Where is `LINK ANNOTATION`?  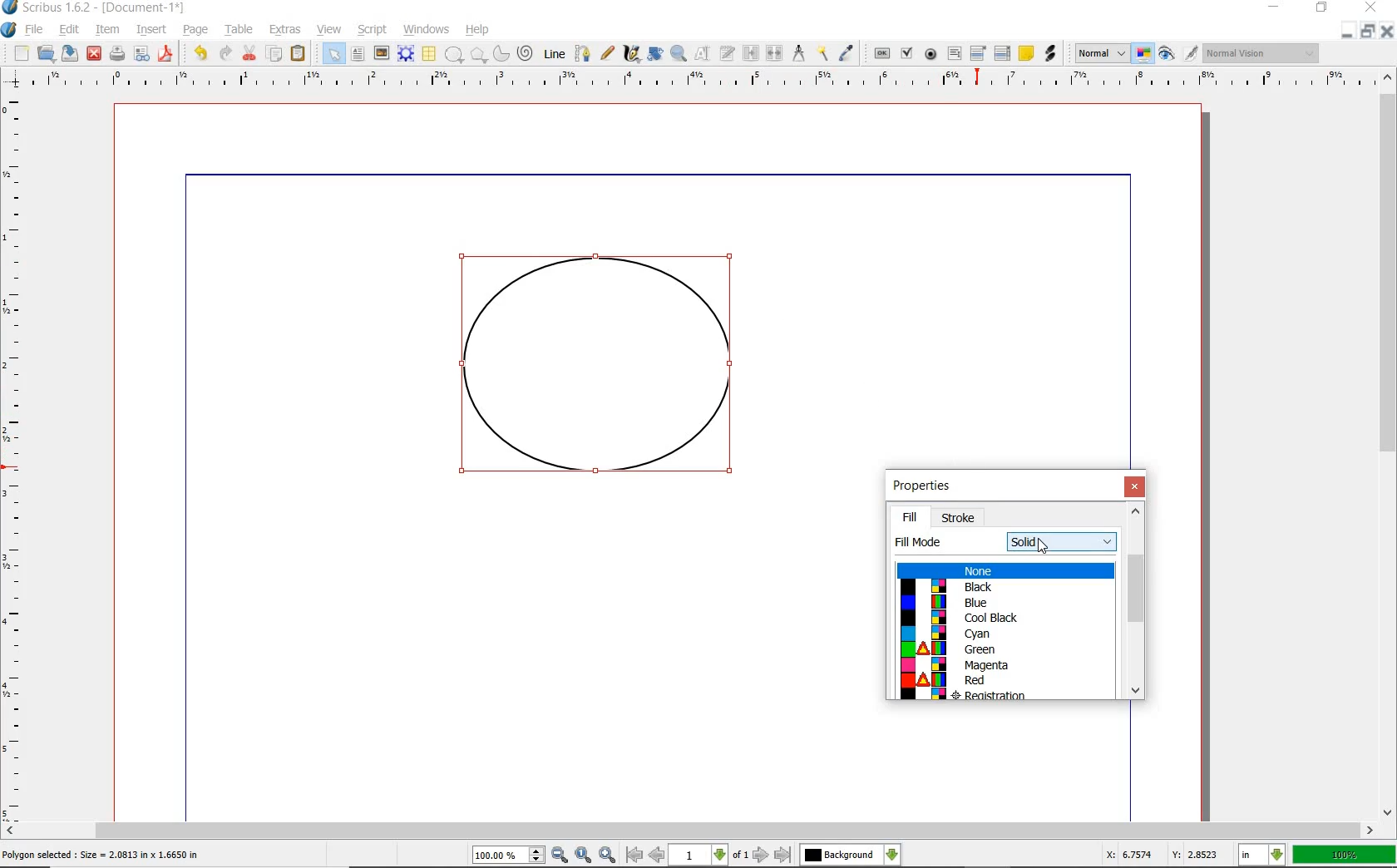
LINK ANNOTATION is located at coordinates (1051, 54).